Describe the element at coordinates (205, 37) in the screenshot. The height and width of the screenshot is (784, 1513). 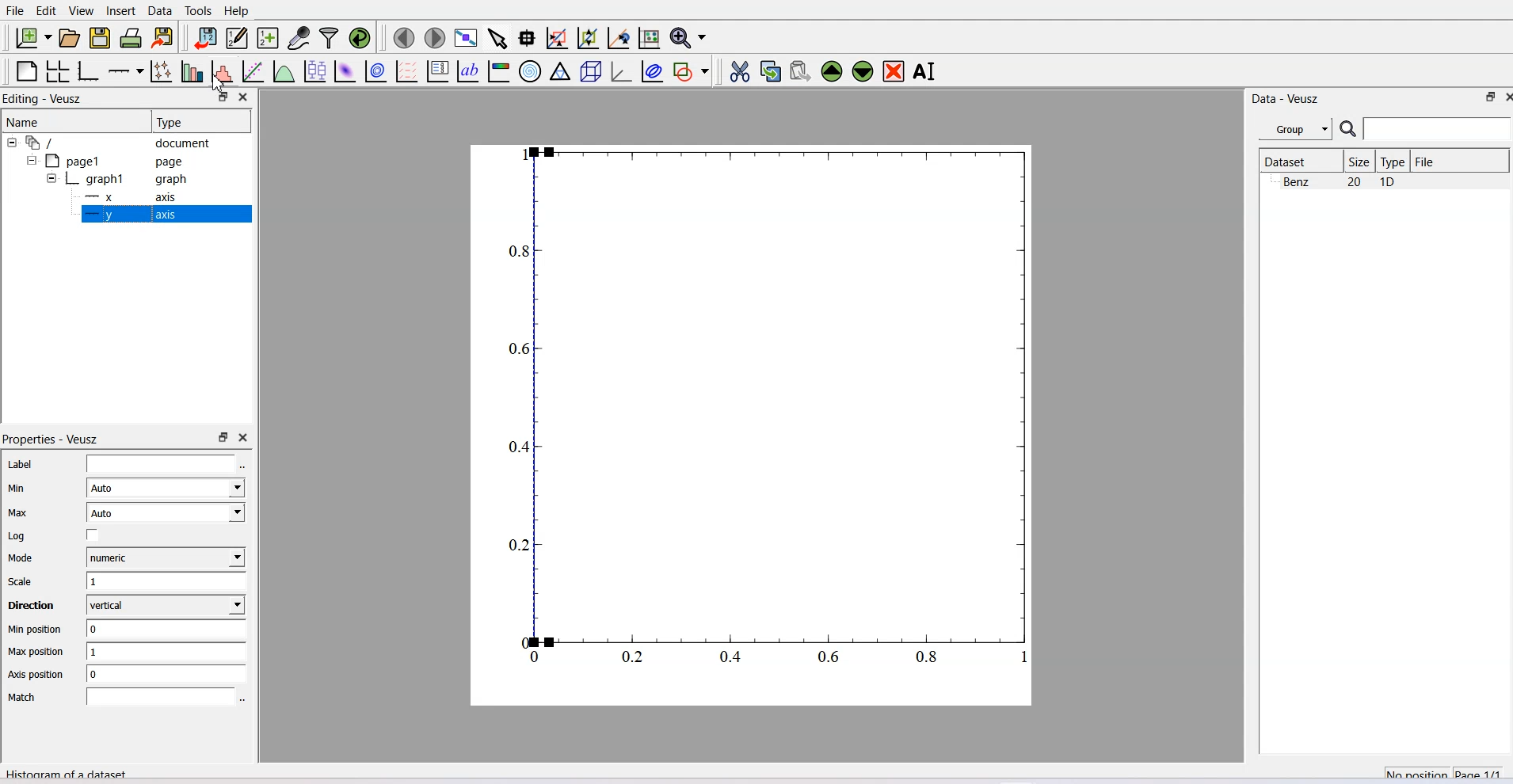
I see `Import data` at that location.